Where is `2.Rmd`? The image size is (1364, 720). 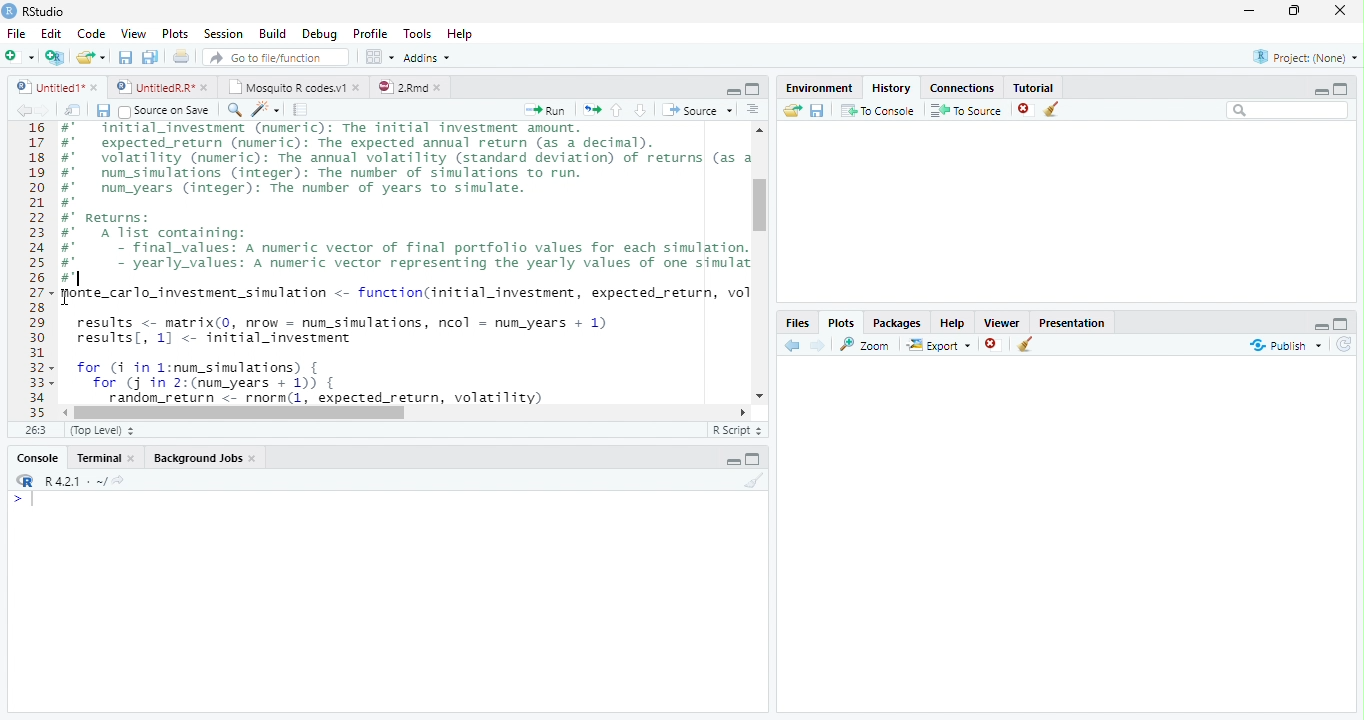
2.Rmd is located at coordinates (410, 87).